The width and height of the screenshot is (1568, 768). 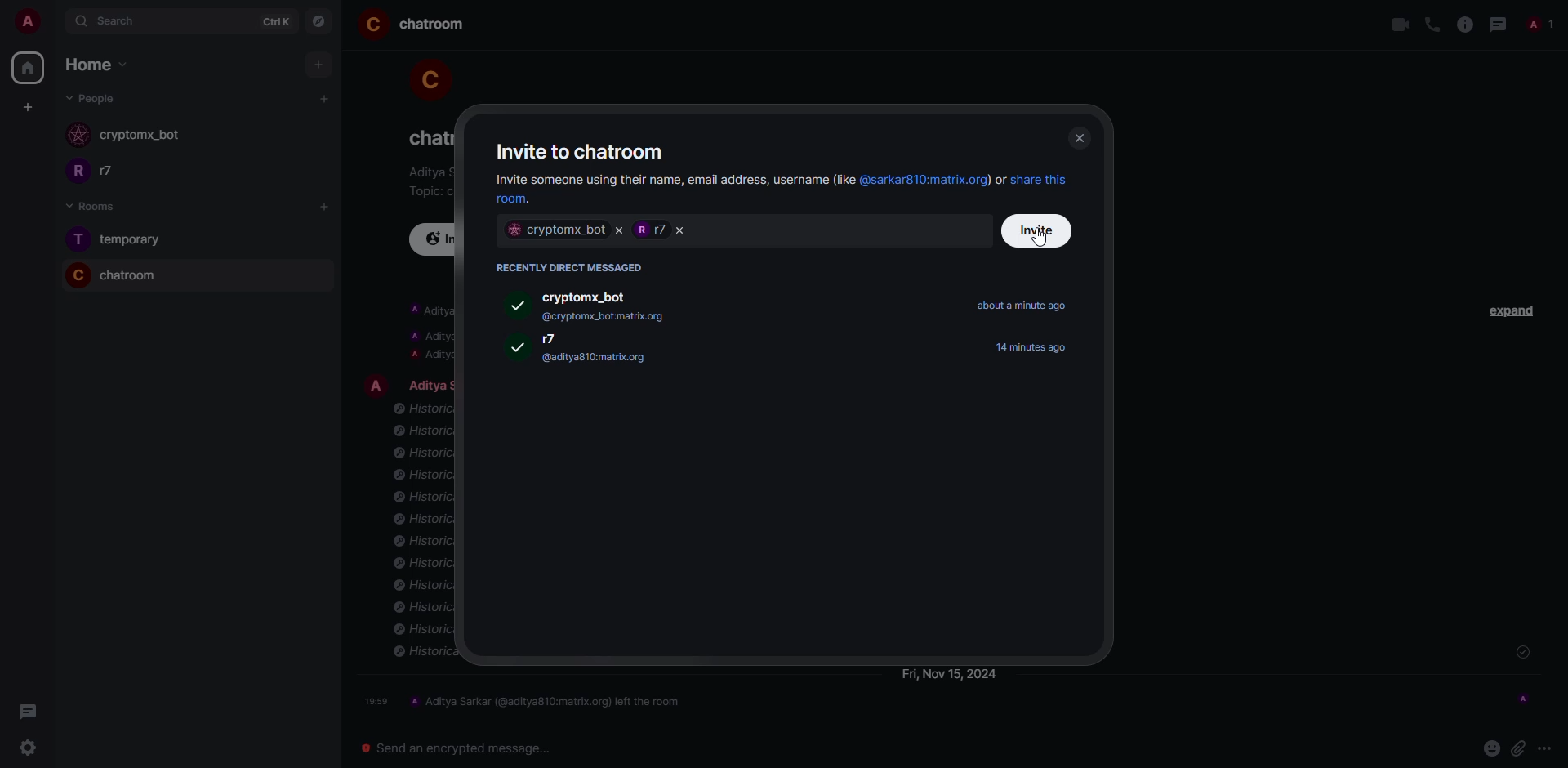 I want to click on people, so click(x=1537, y=26).